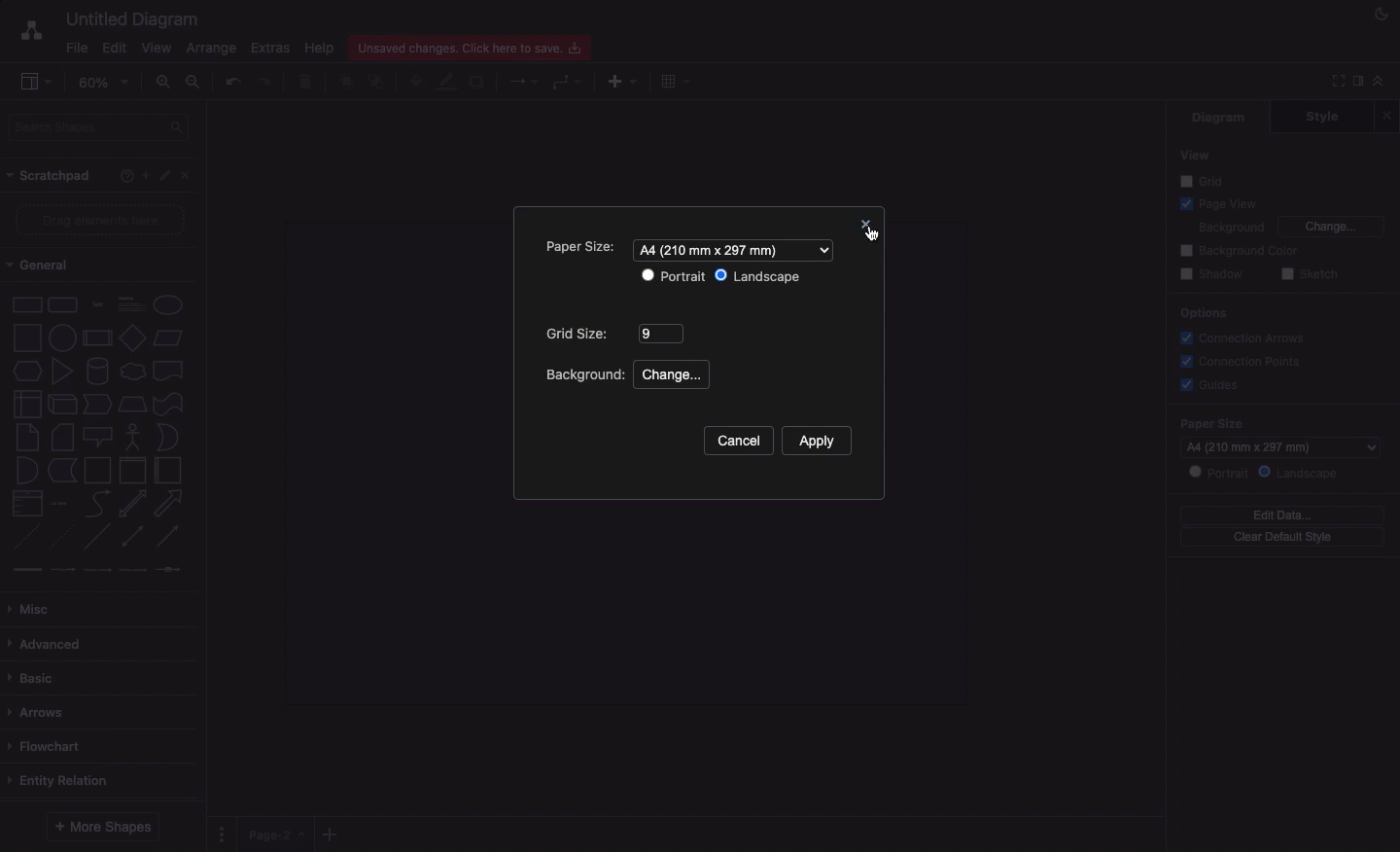 The height and width of the screenshot is (852, 1400). Describe the element at coordinates (1207, 383) in the screenshot. I see `Guides` at that location.